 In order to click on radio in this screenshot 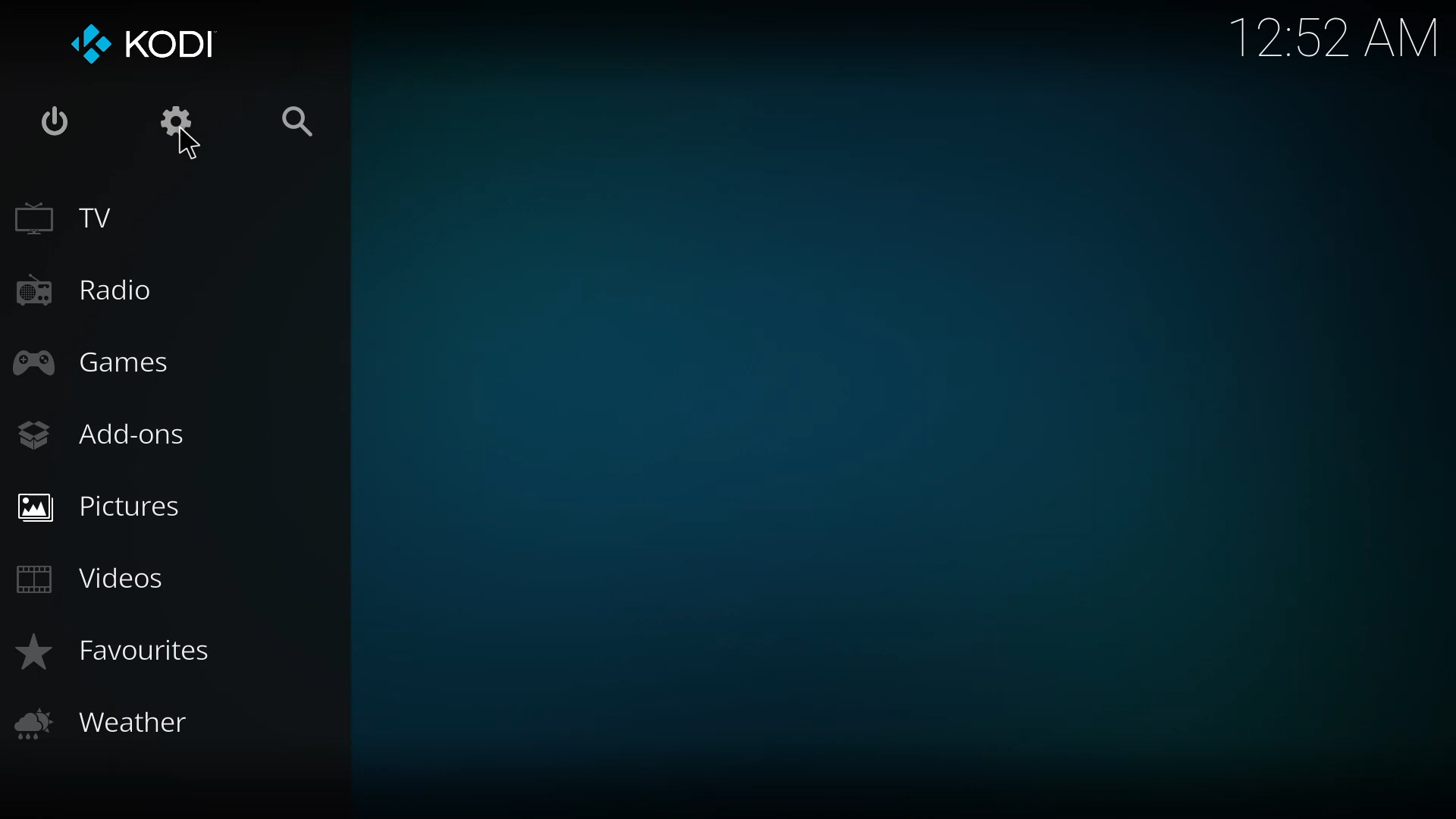, I will do `click(82, 290)`.